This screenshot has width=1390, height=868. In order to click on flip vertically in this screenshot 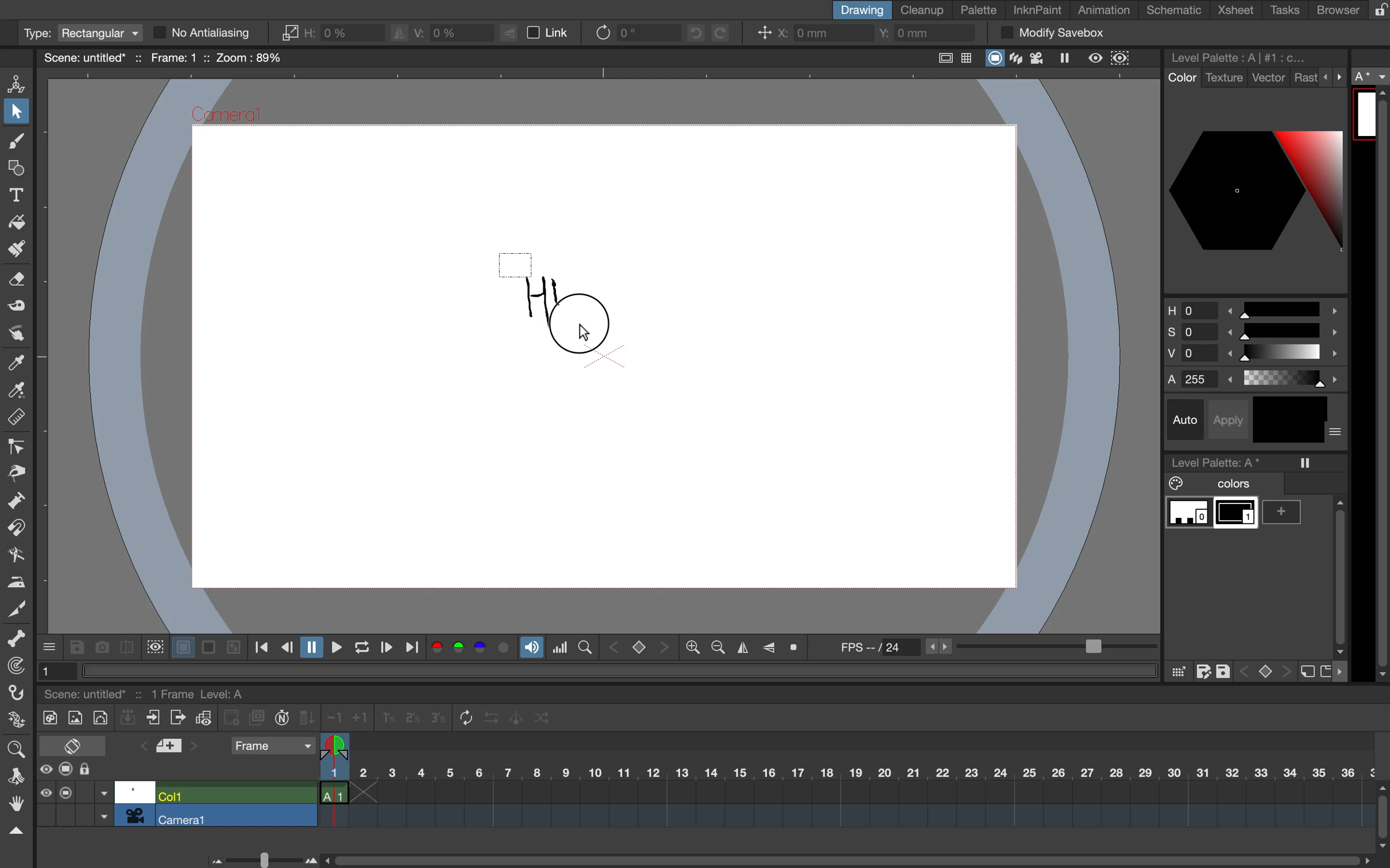, I will do `click(769, 646)`.